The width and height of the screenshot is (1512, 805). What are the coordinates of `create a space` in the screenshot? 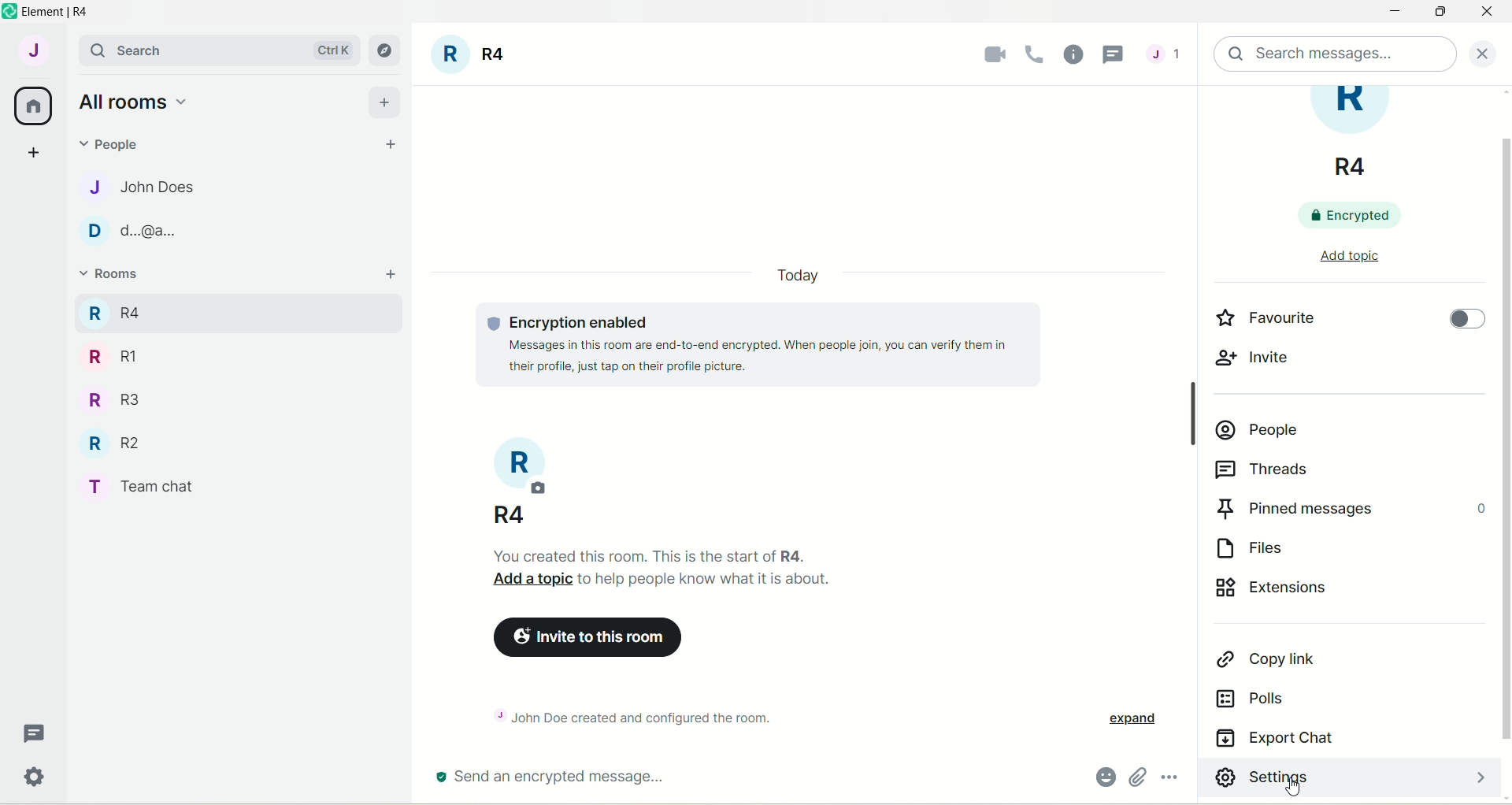 It's located at (32, 151).